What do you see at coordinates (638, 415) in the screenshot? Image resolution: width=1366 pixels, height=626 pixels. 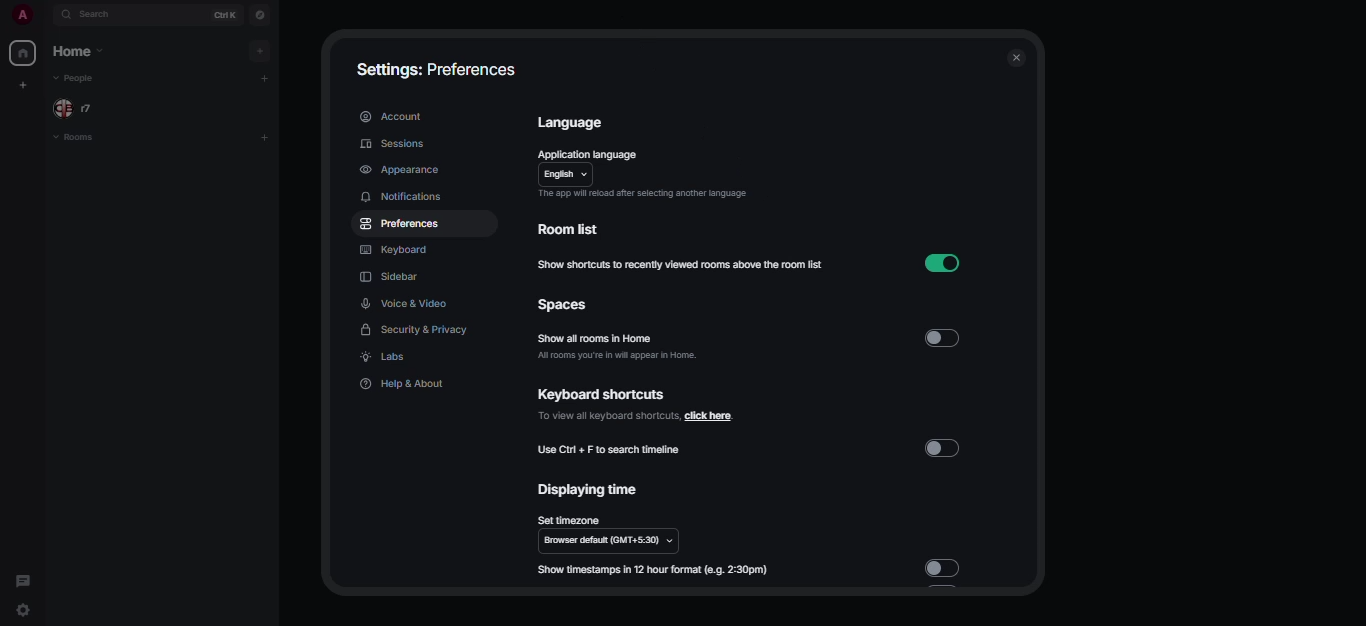 I see `click here` at bounding box center [638, 415].